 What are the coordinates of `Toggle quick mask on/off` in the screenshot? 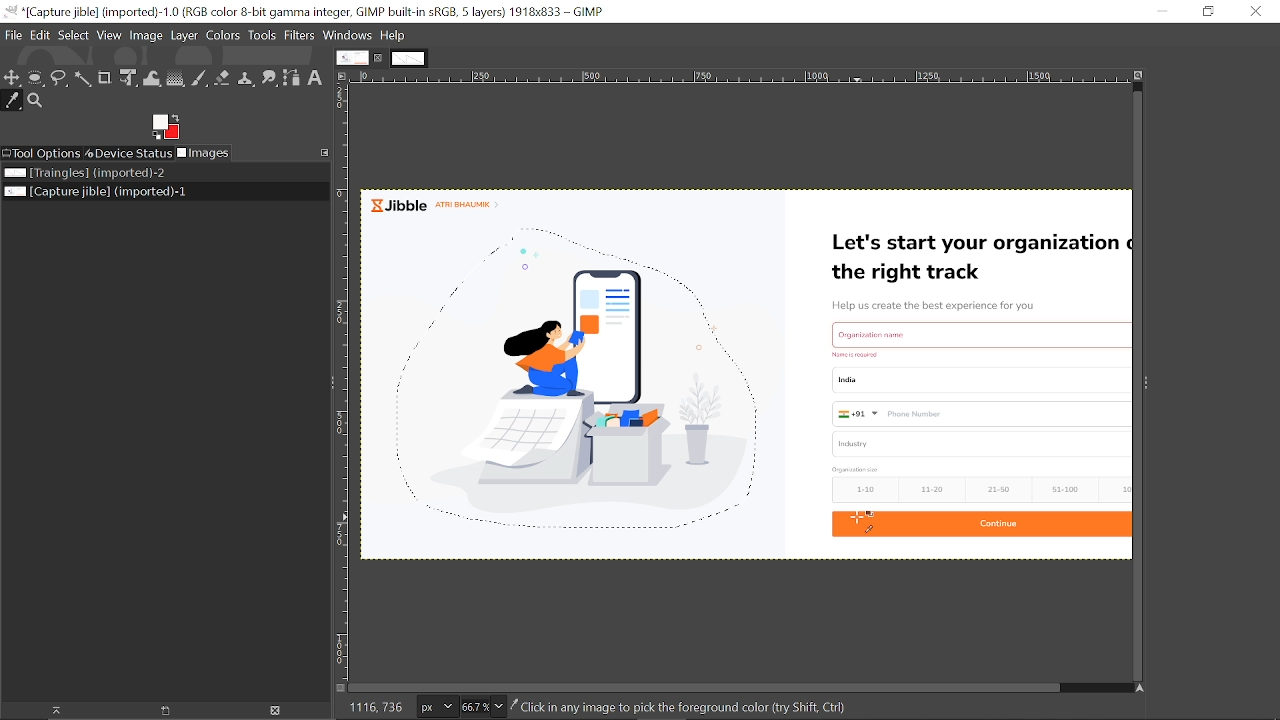 It's located at (340, 688).